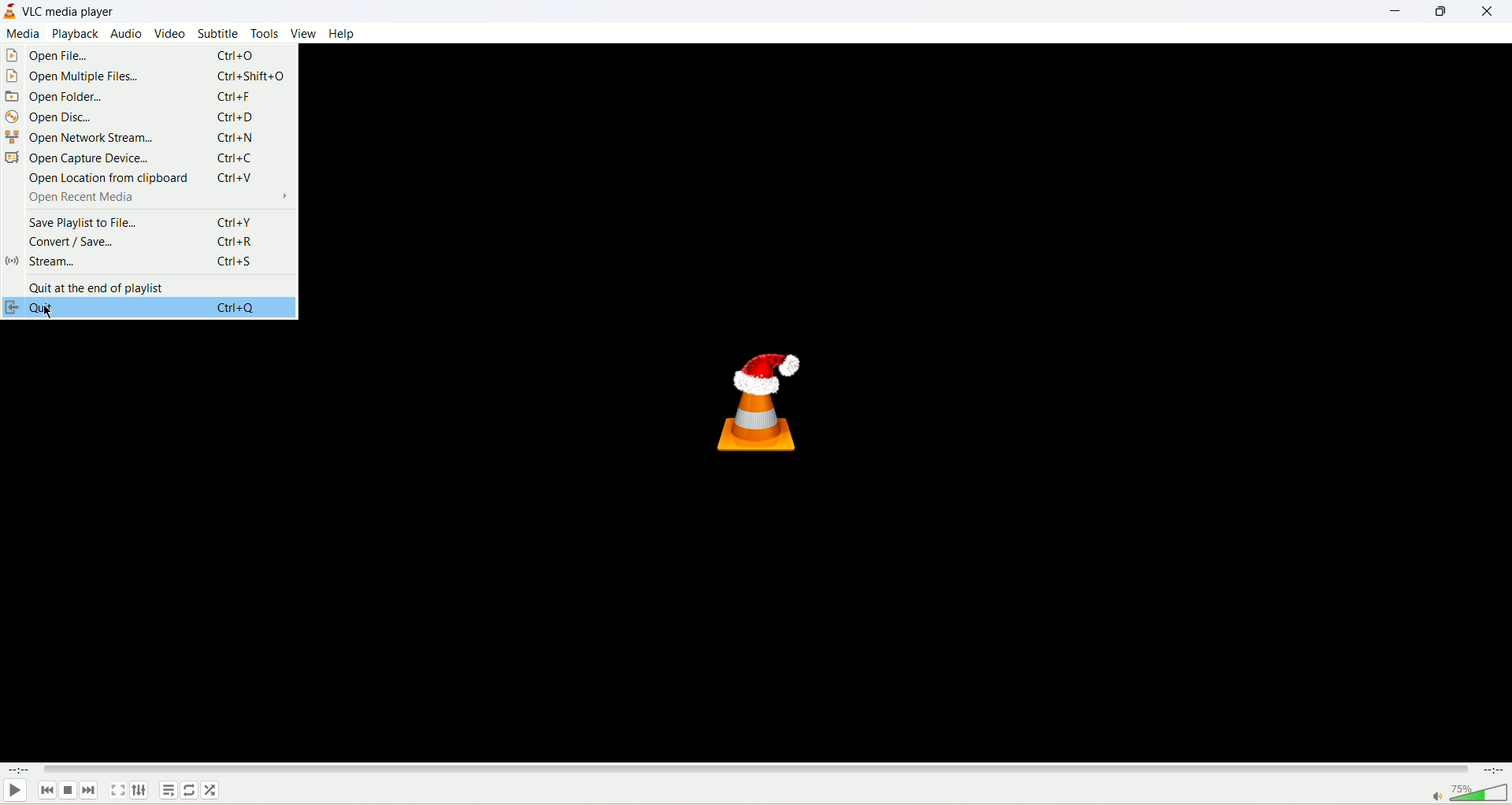 This screenshot has width=1512, height=805. I want to click on mute, so click(1436, 796).